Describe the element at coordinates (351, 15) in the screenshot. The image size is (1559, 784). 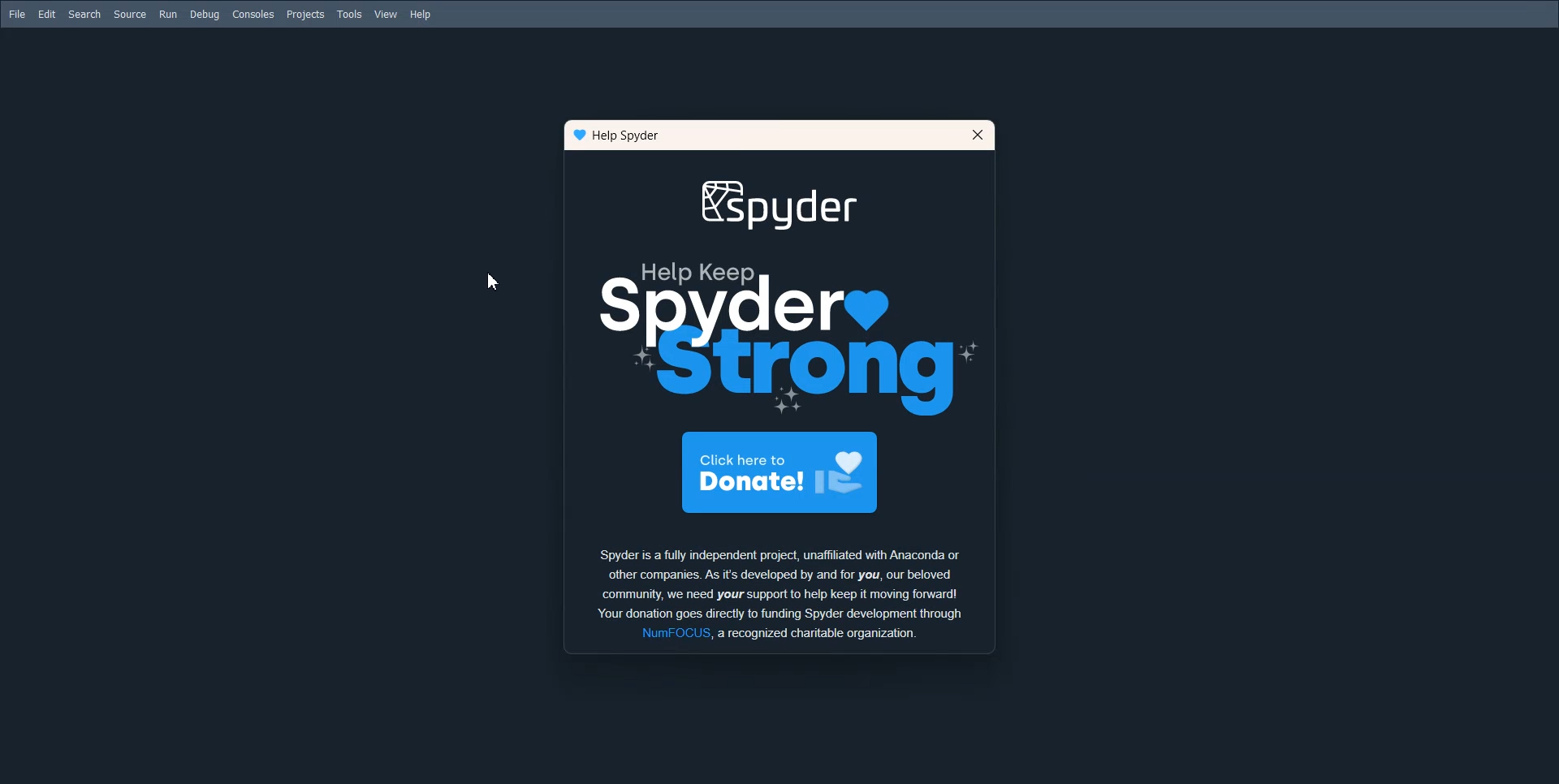
I see `Tools` at that location.